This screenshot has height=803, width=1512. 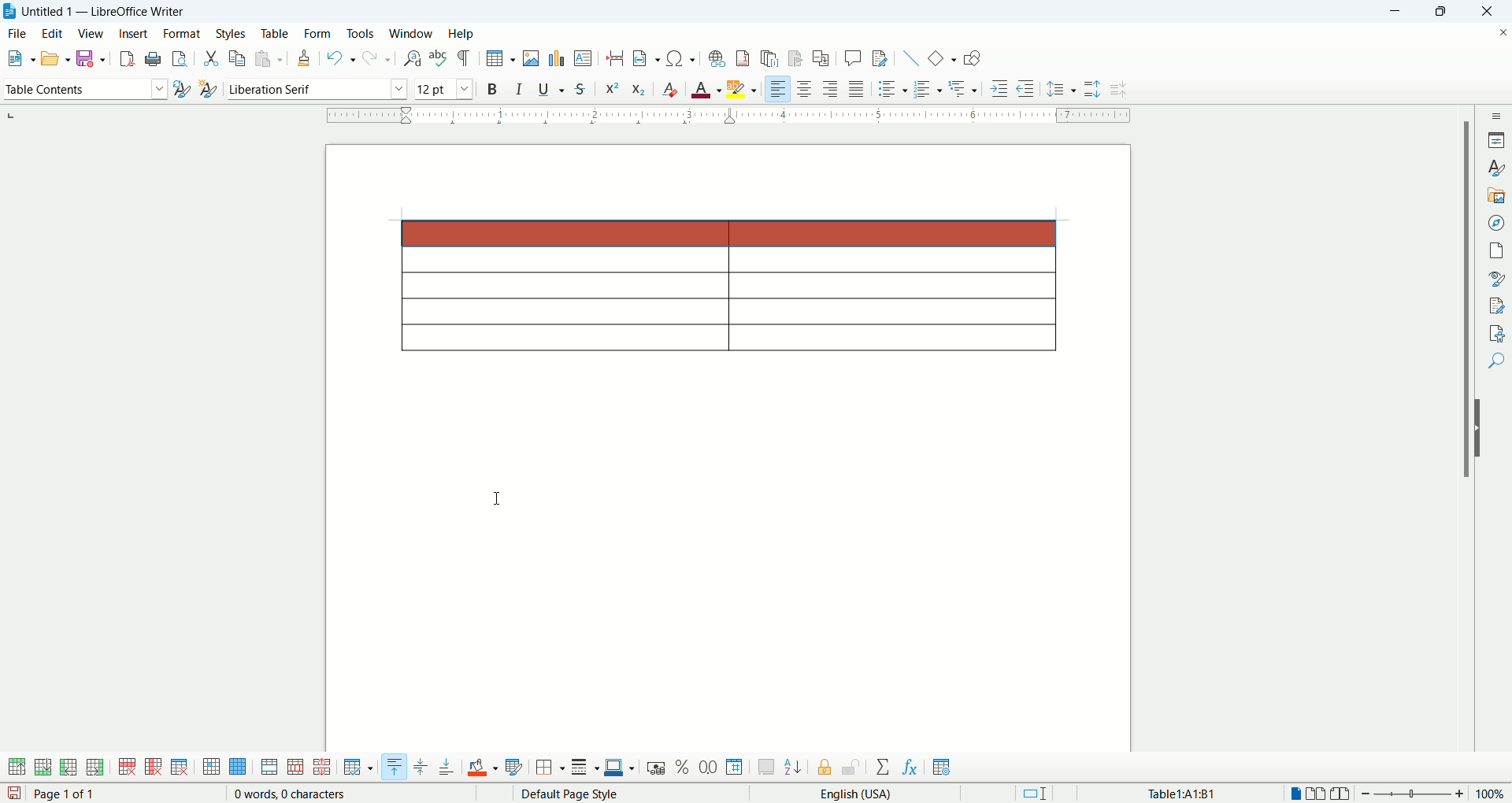 I want to click on window, so click(x=413, y=33).